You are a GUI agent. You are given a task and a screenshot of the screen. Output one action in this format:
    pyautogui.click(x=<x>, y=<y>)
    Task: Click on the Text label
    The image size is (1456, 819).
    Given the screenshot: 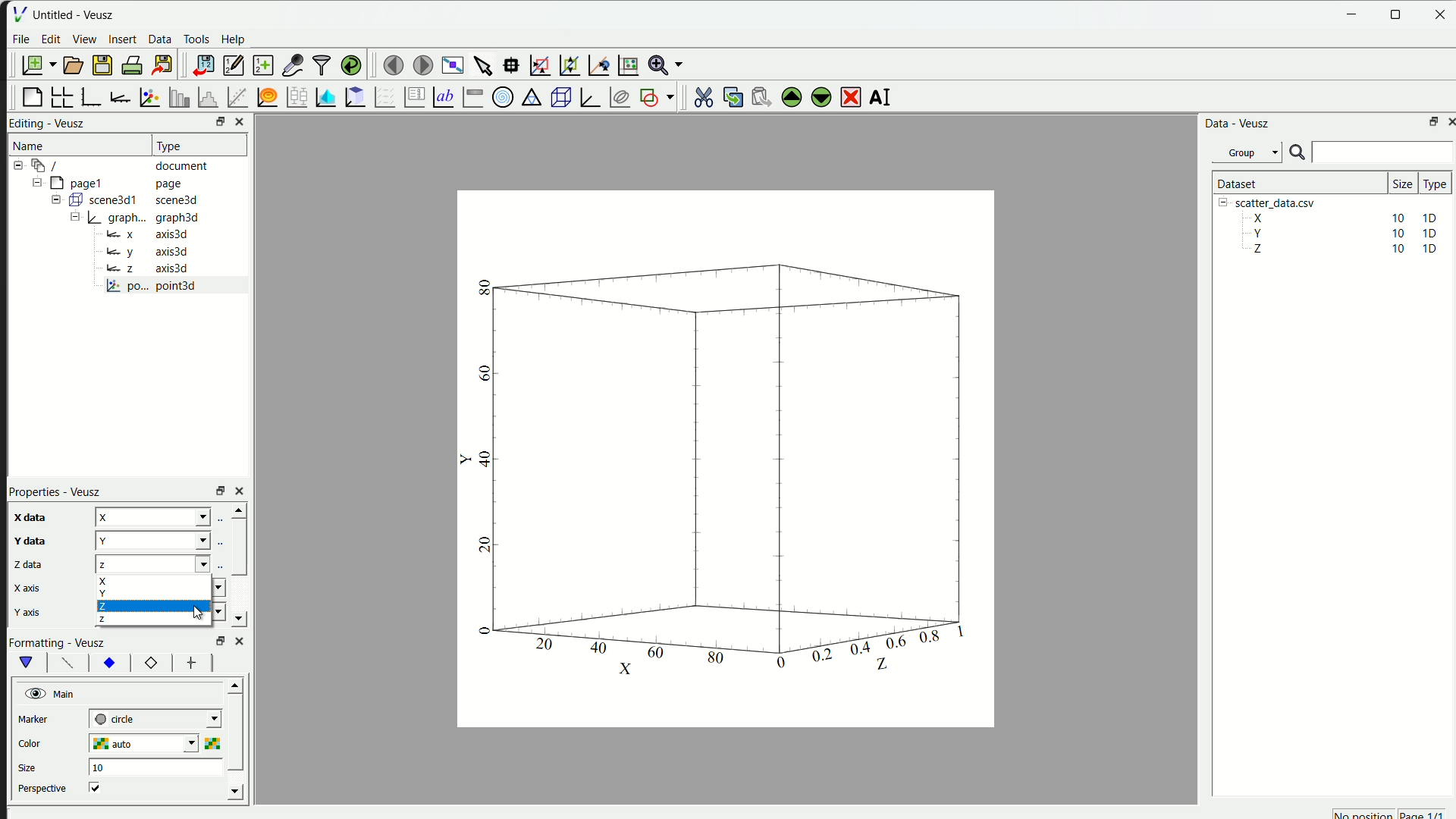 What is the action you would take?
    pyautogui.click(x=442, y=98)
    